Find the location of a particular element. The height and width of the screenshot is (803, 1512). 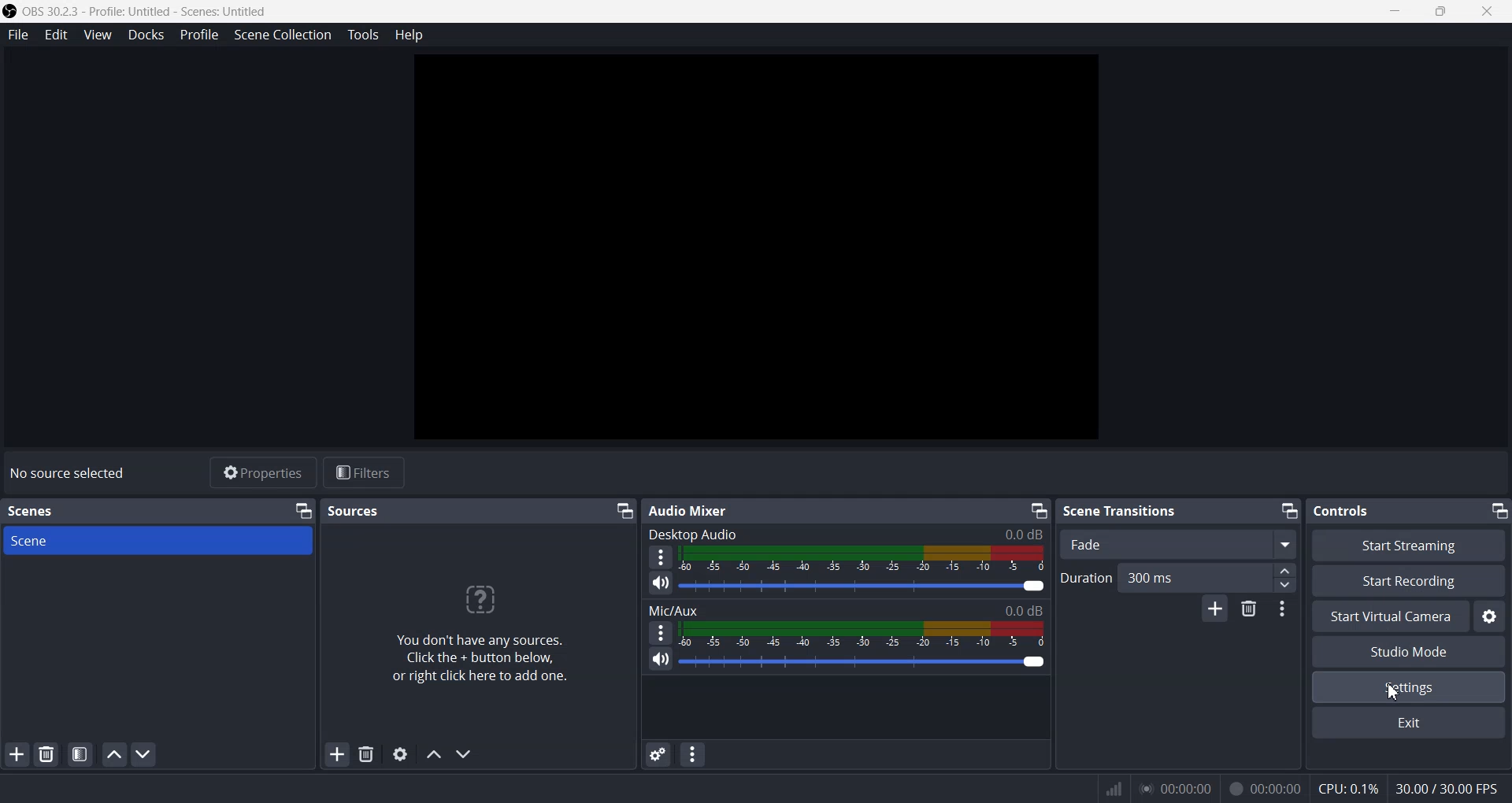

View is located at coordinates (97, 35).